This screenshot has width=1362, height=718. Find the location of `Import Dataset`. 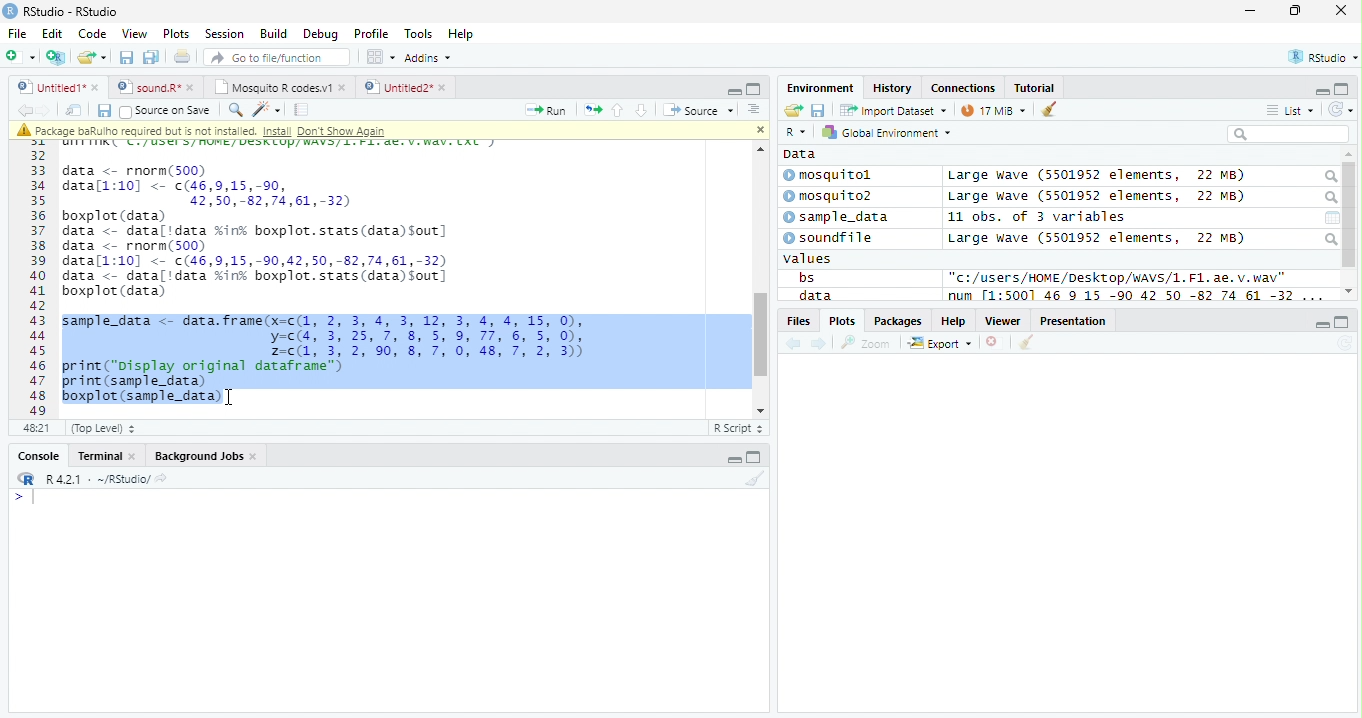

Import Dataset is located at coordinates (893, 111).